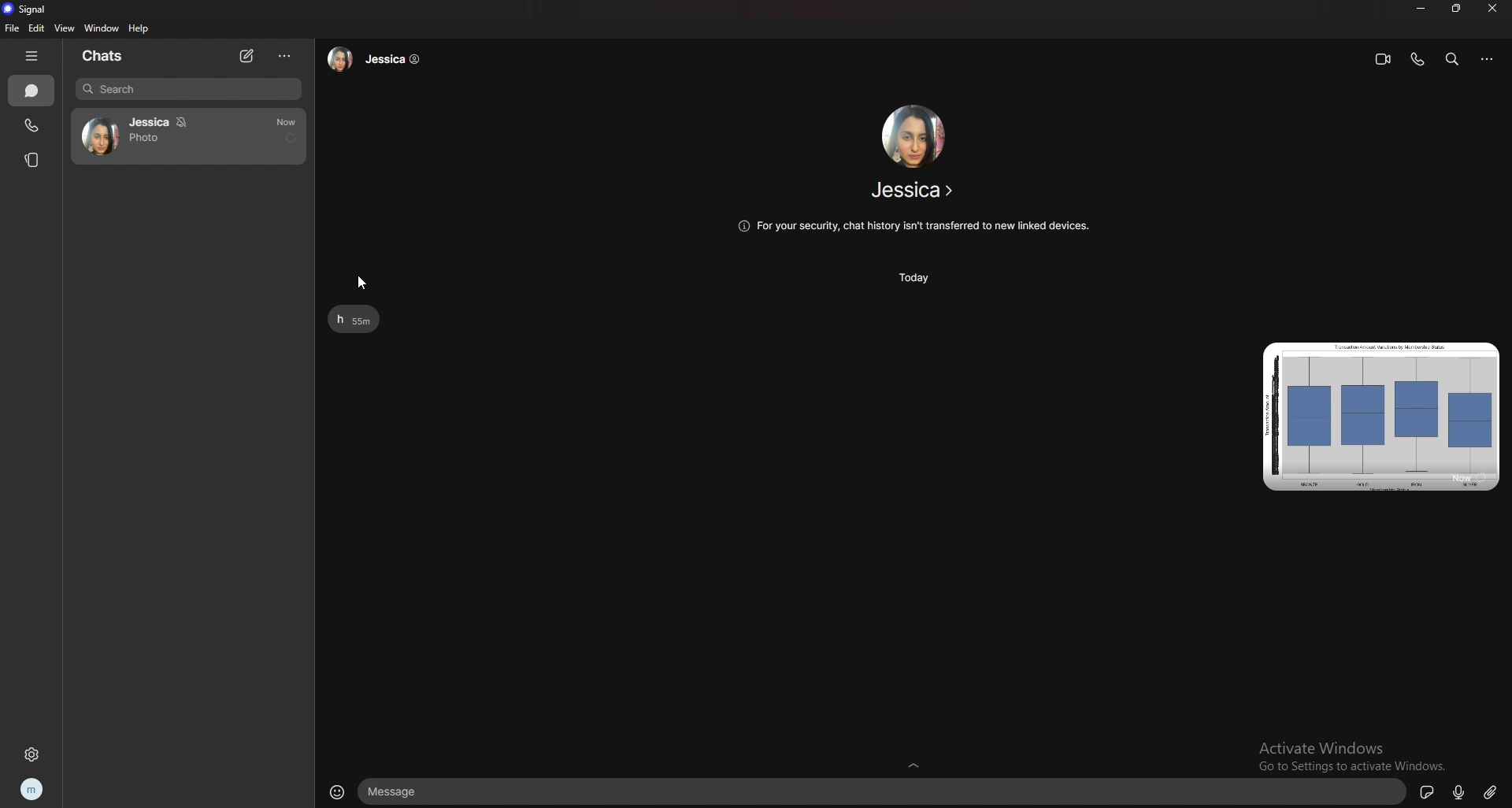  Describe the element at coordinates (189, 90) in the screenshot. I see `search bar` at that location.